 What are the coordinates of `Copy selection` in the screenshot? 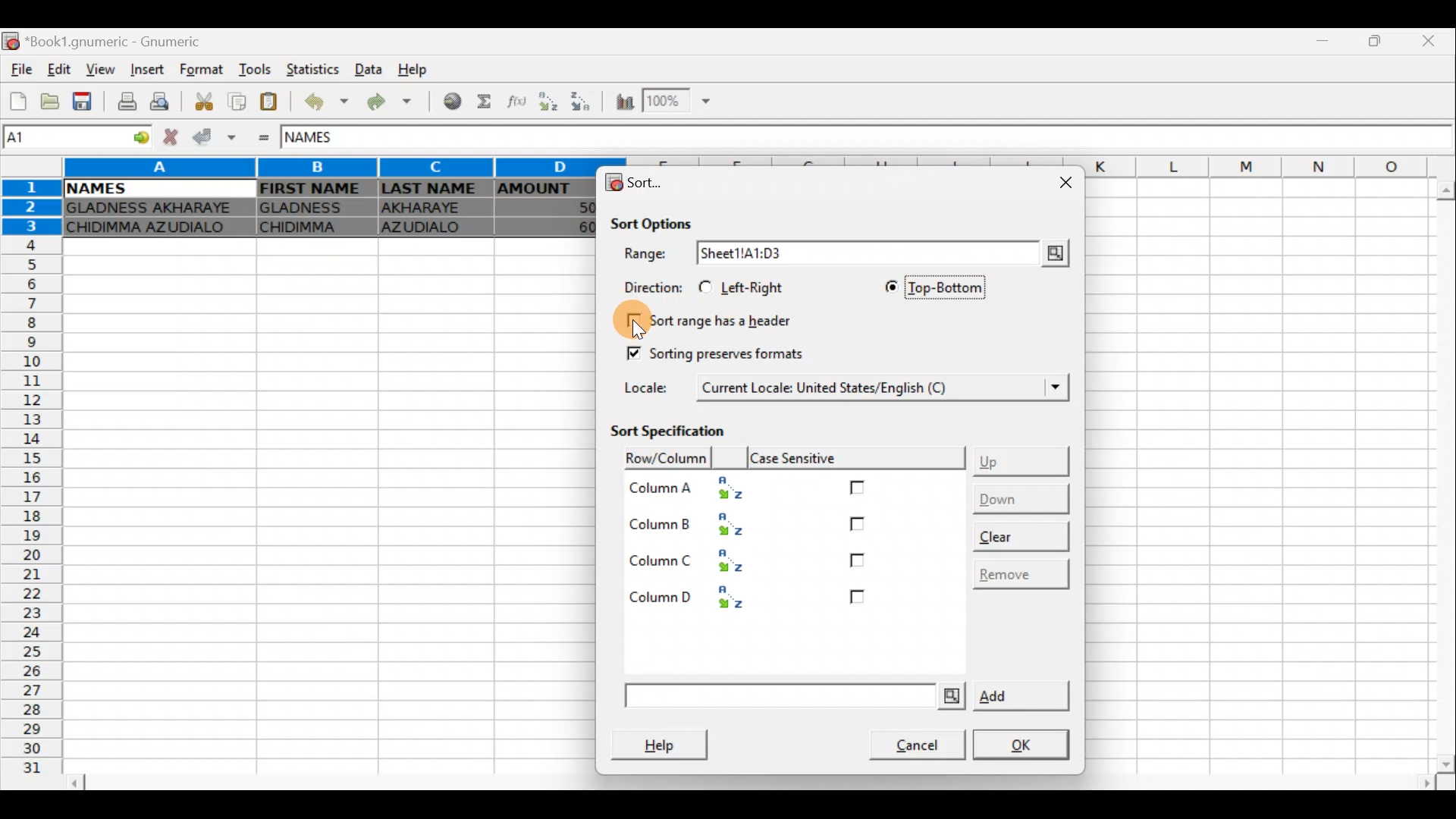 It's located at (237, 102).